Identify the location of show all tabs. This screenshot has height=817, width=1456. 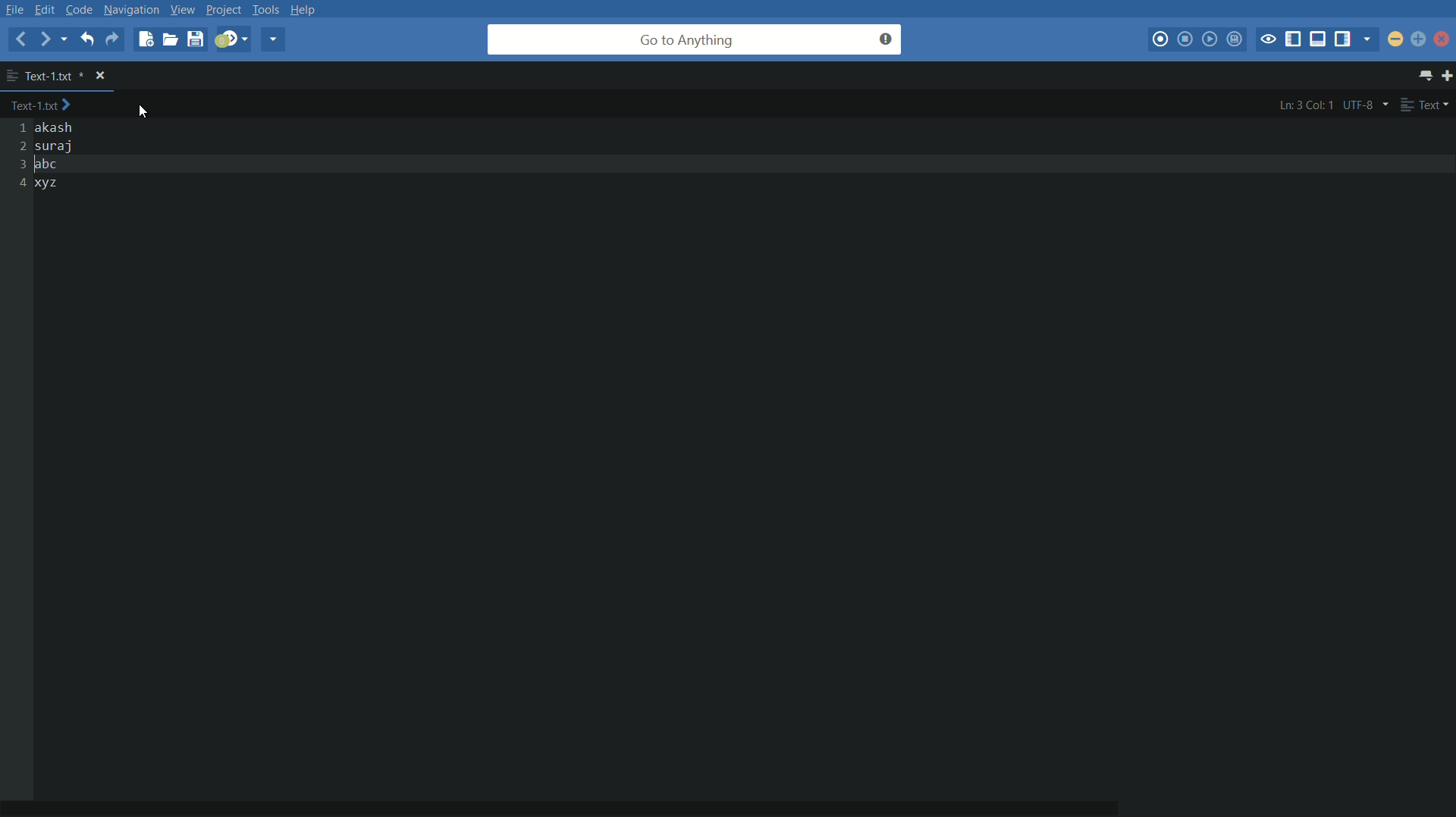
(1427, 77).